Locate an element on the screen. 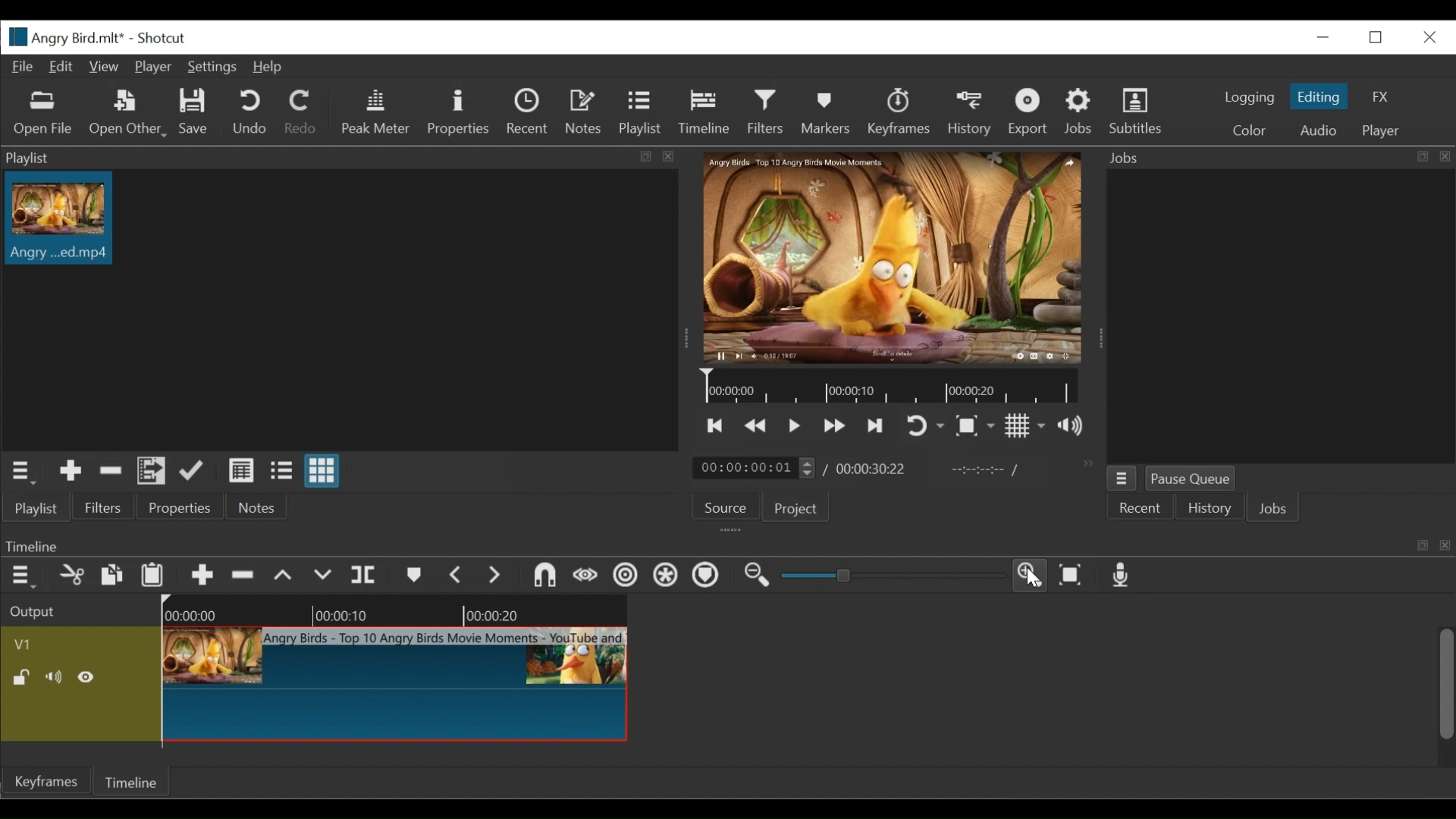 This screenshot has width=1456, height=819. File is located at coordinates (21, 67).